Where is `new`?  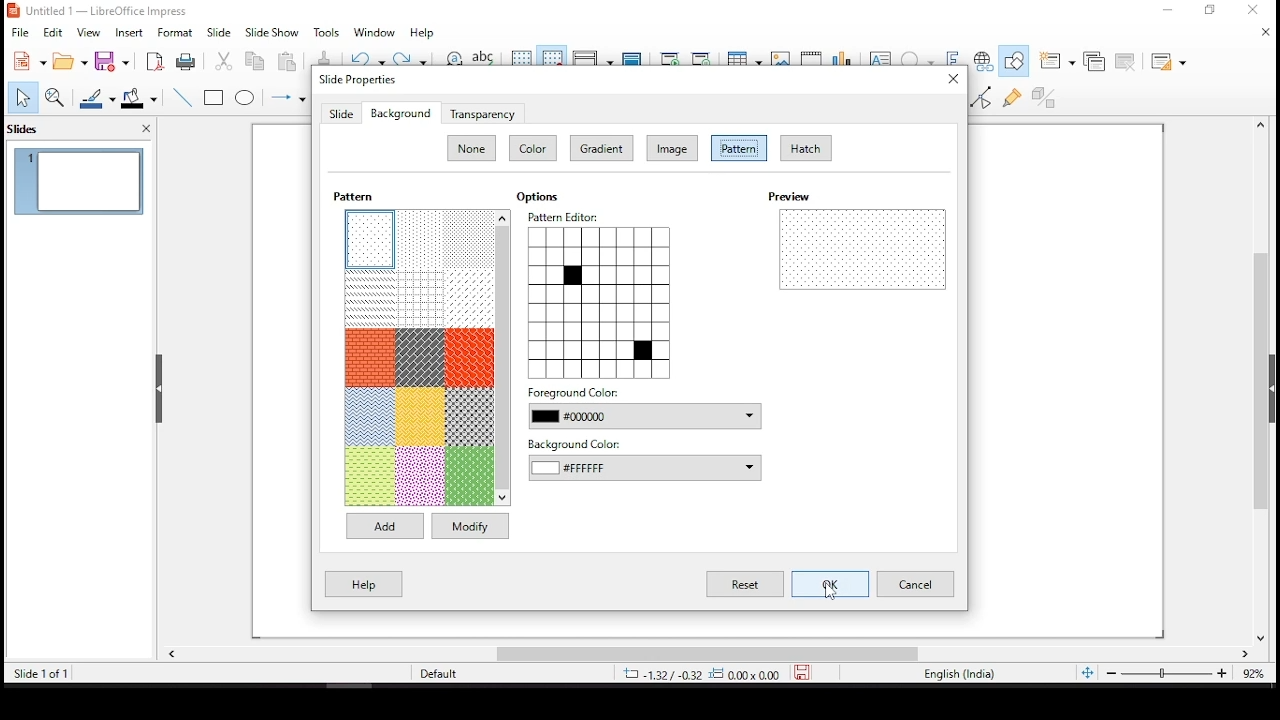
new is located at coordinates (25, 62).